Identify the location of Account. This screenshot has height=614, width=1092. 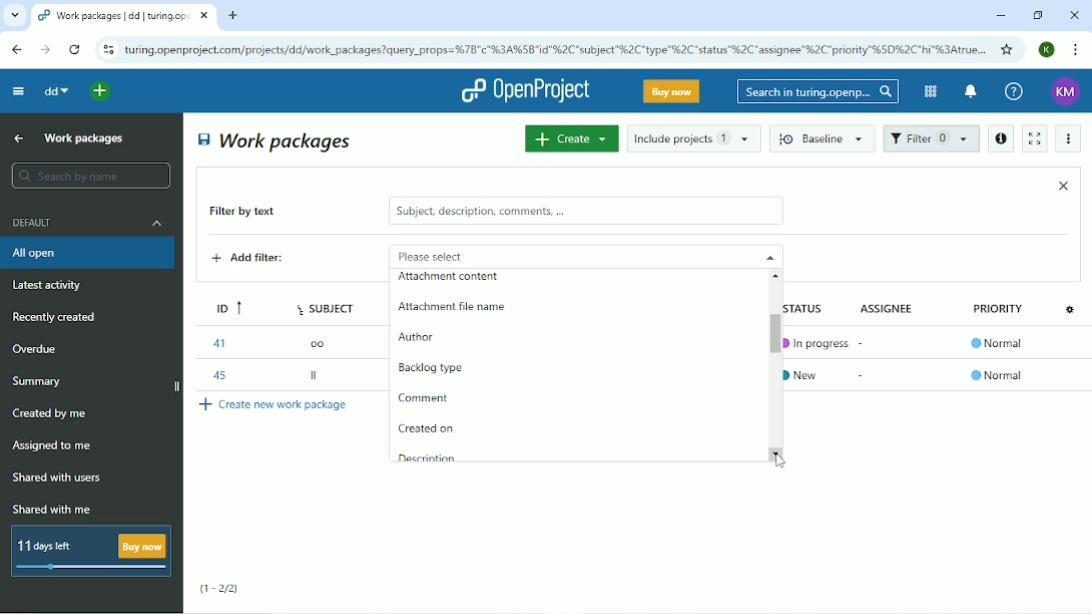
(1048, 49).